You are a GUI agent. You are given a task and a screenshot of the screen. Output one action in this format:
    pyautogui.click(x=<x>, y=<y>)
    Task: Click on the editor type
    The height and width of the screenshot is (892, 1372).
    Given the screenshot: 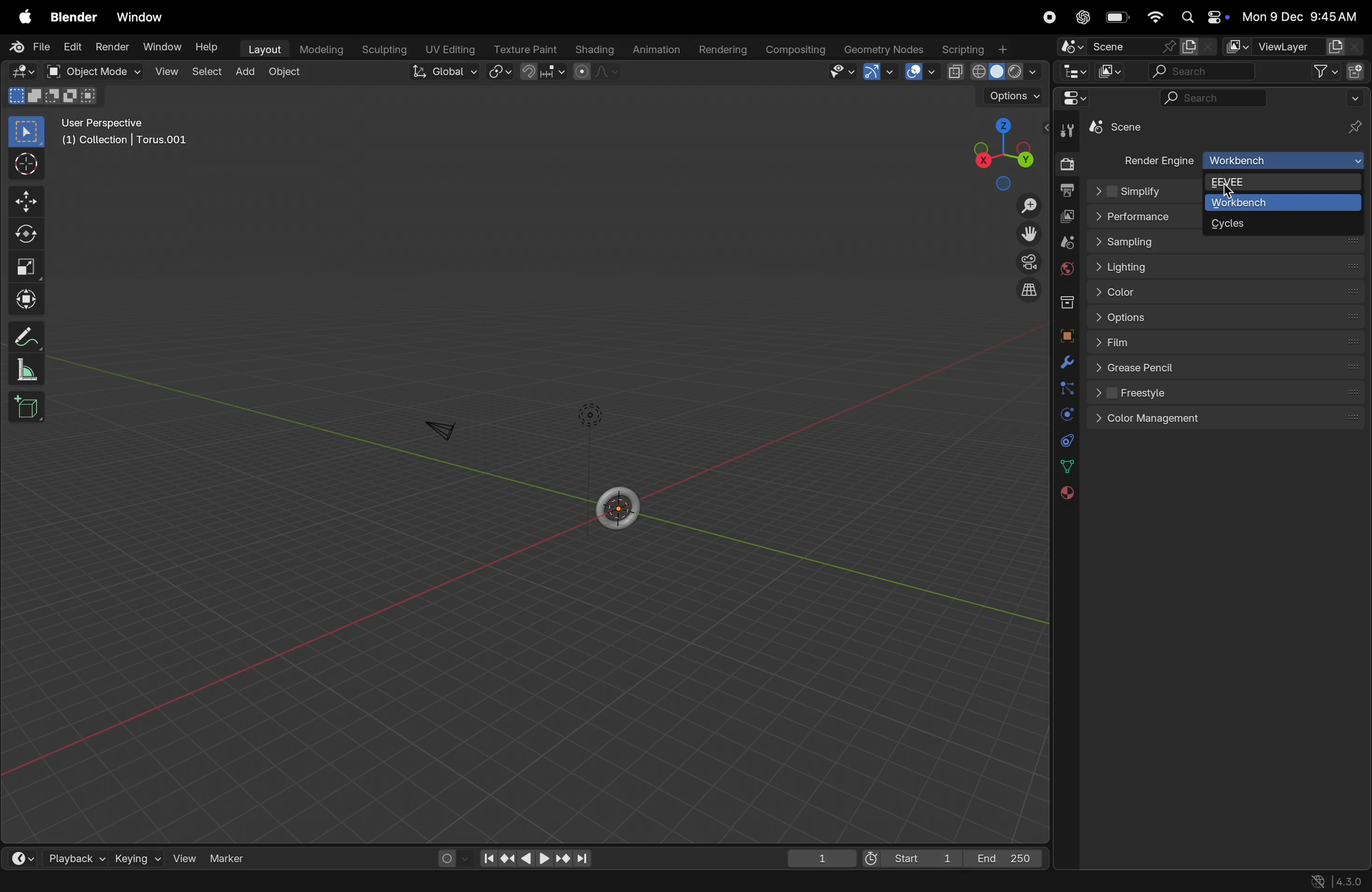 What is the action you would take?
    pyautogui.click(x=1068, y=101)
    